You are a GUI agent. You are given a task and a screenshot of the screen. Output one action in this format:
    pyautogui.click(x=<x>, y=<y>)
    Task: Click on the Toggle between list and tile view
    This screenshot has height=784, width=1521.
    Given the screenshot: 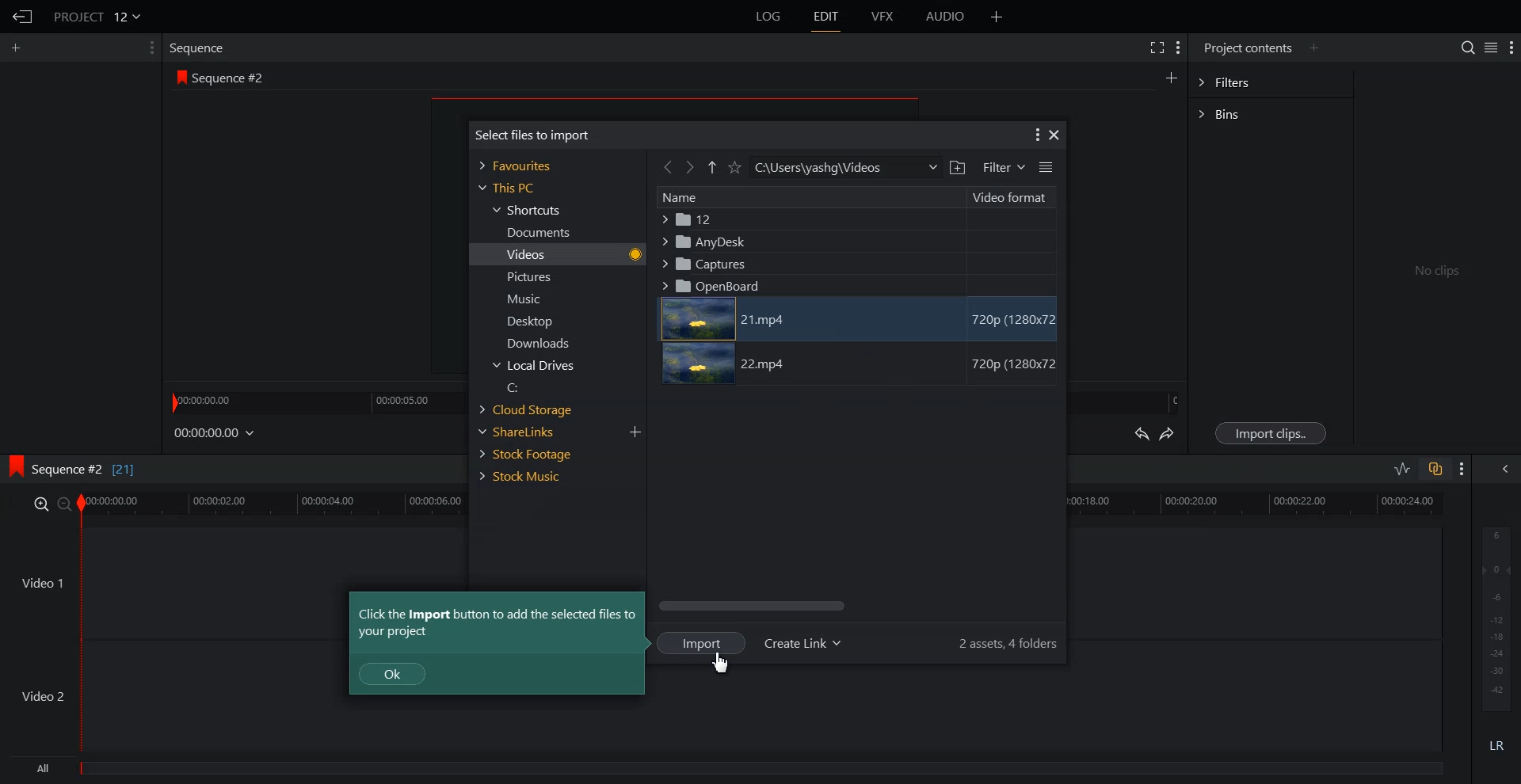 What is the action you would take?
    pyautogui.click(x=1046, y=167)
    